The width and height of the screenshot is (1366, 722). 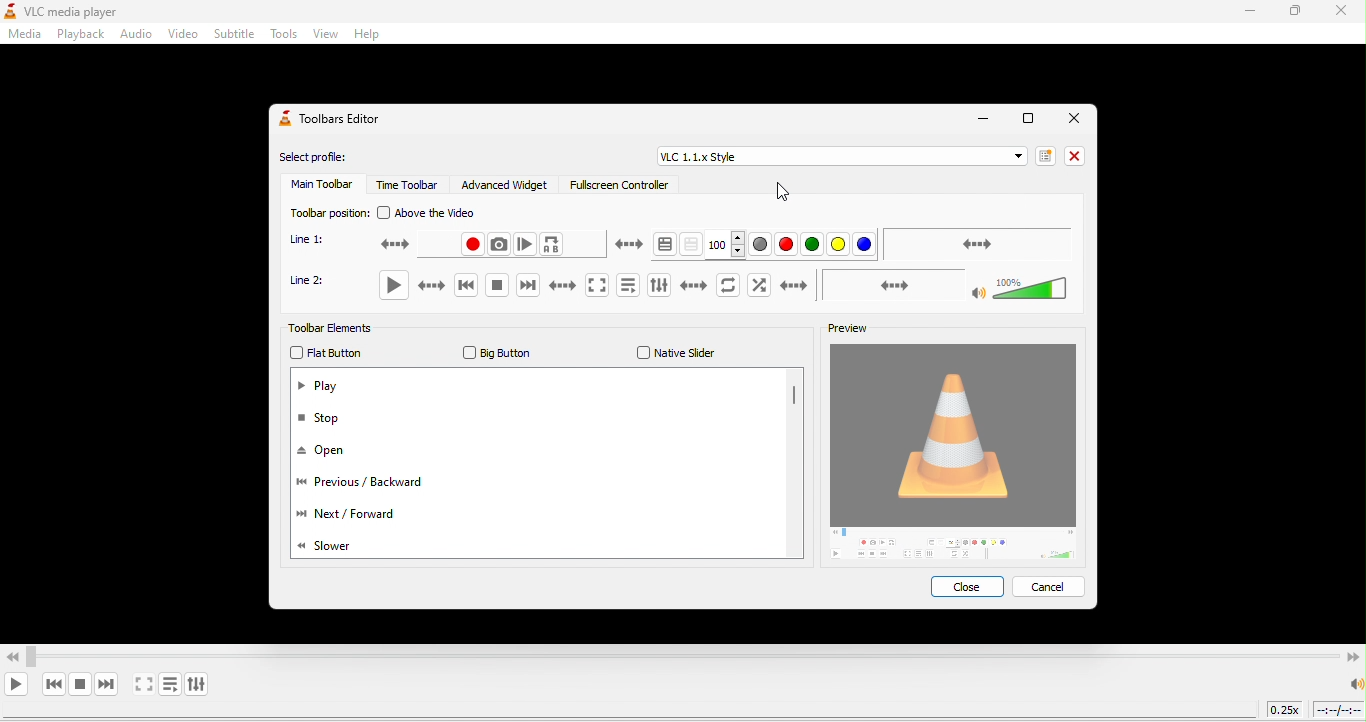 I want to click on big button, so click(x=496, y=353).